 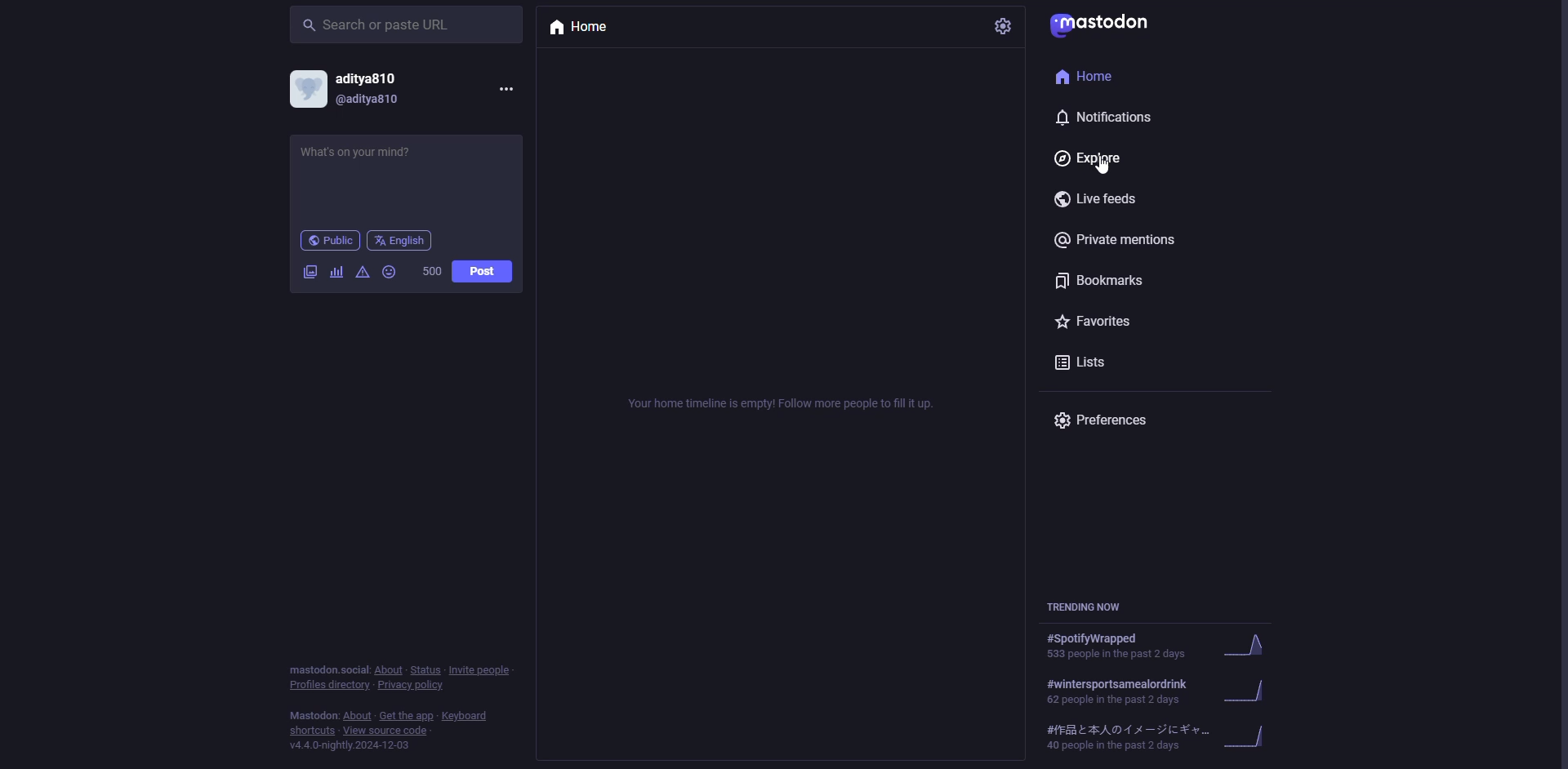 What do you see at coordinates (1108, 24) in the screenshot?
I see `mastodon` at bounding box center [1108, 24].